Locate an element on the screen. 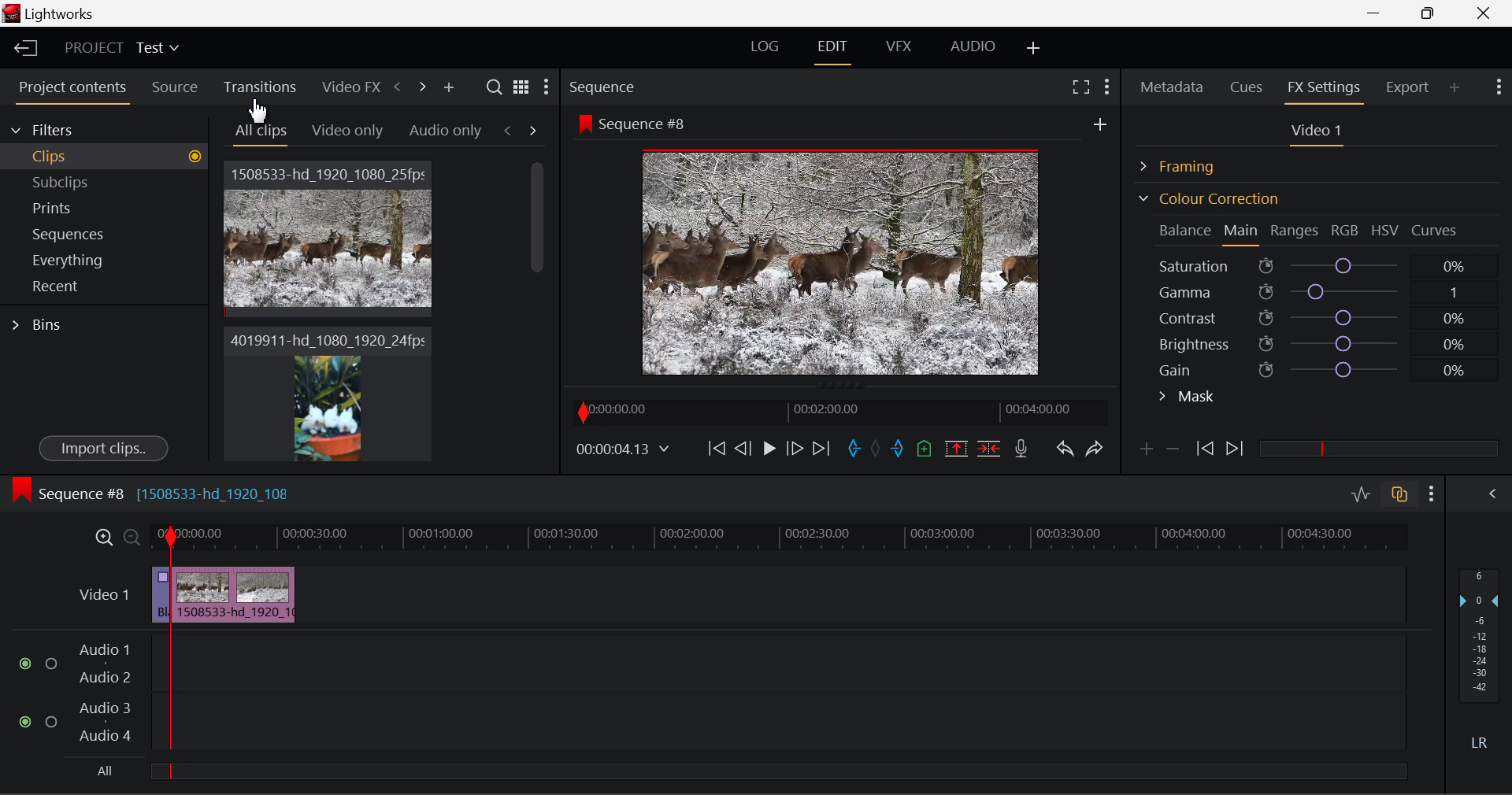 Image resolution: width=1512 pixels, height=795 pixels. Go Back is located at coordinates (745, 447).